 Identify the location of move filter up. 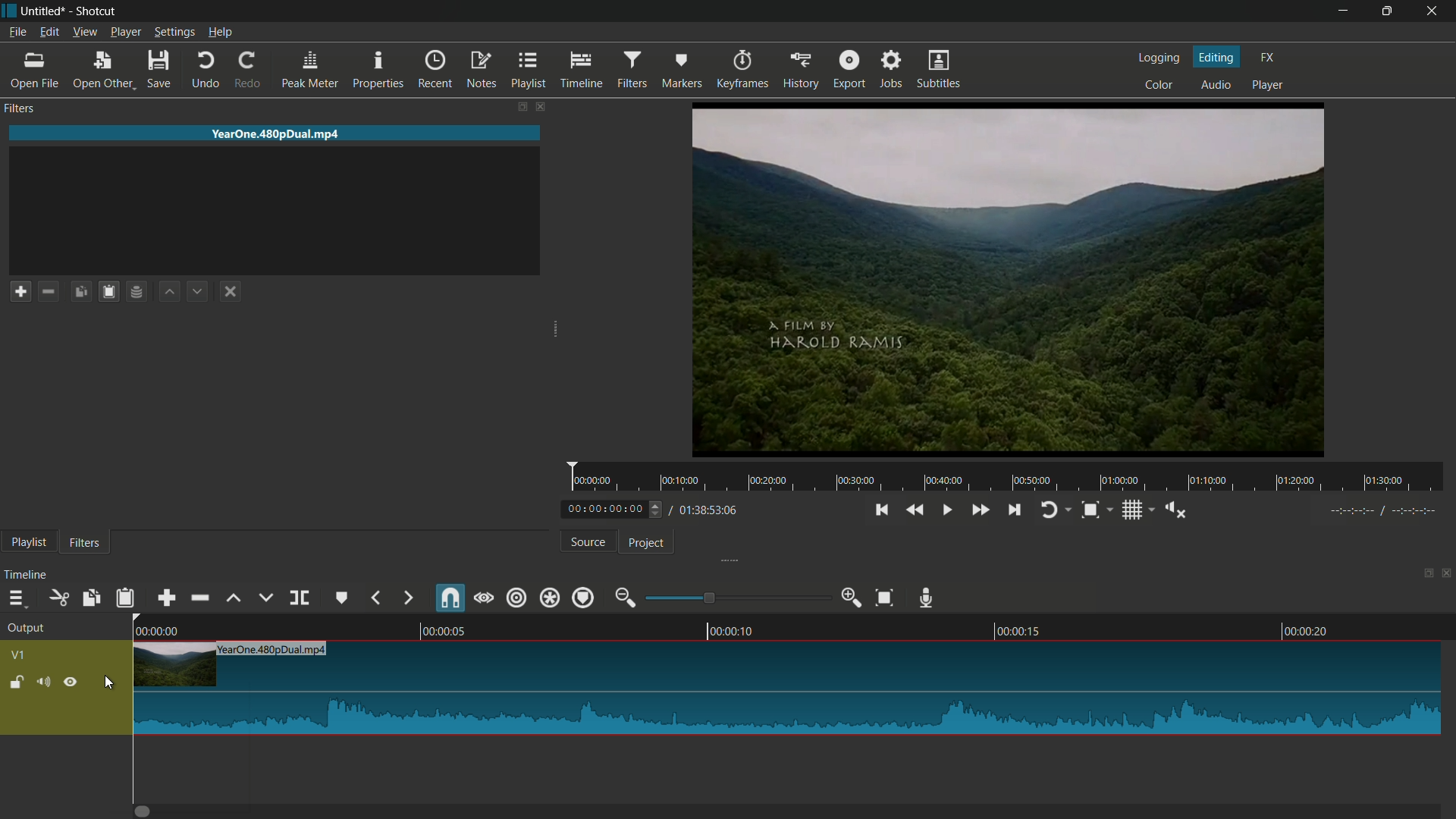
(169, 293).